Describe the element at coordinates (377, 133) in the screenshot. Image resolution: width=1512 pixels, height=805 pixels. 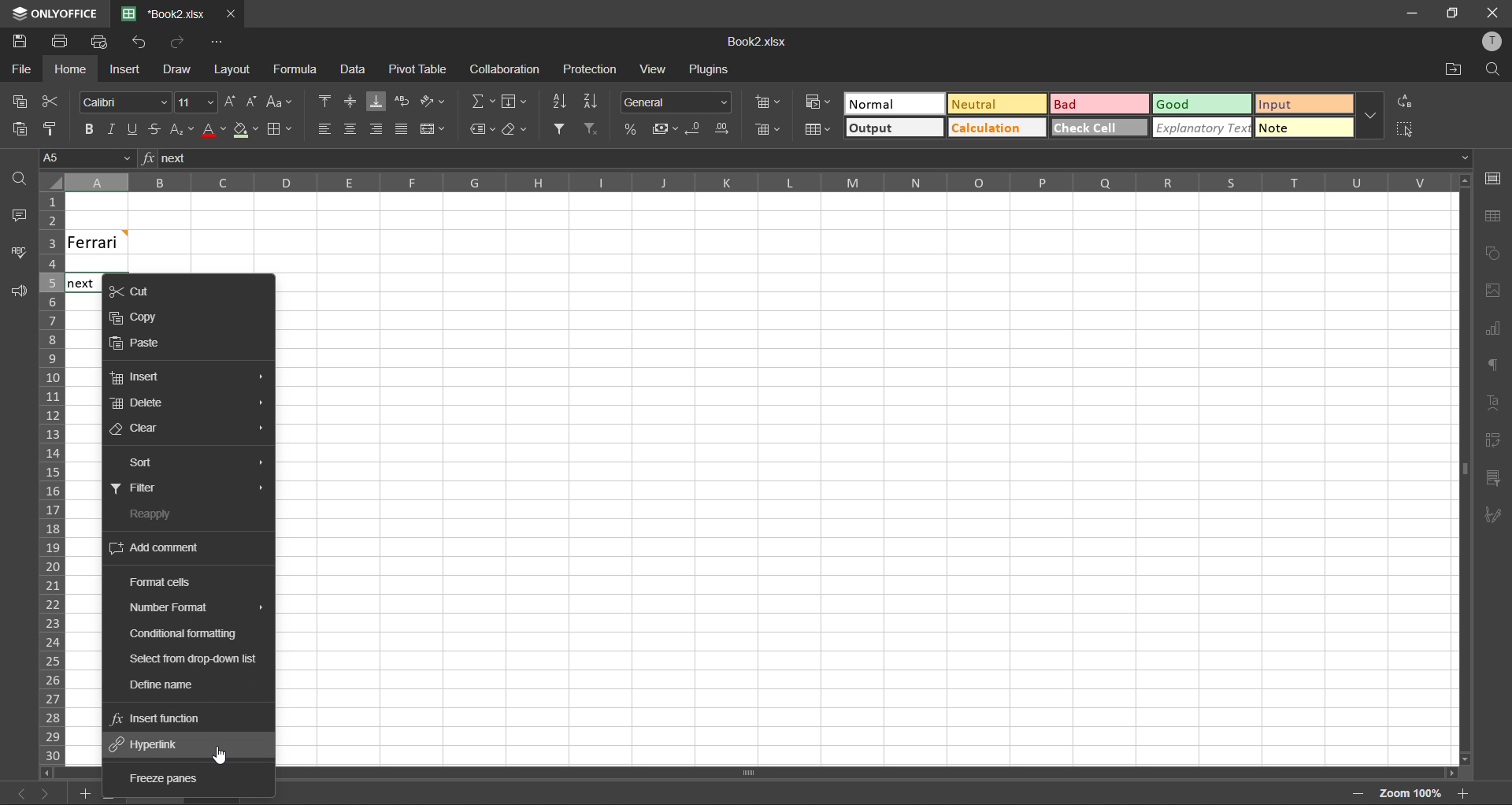
I see `align  right` at that location.